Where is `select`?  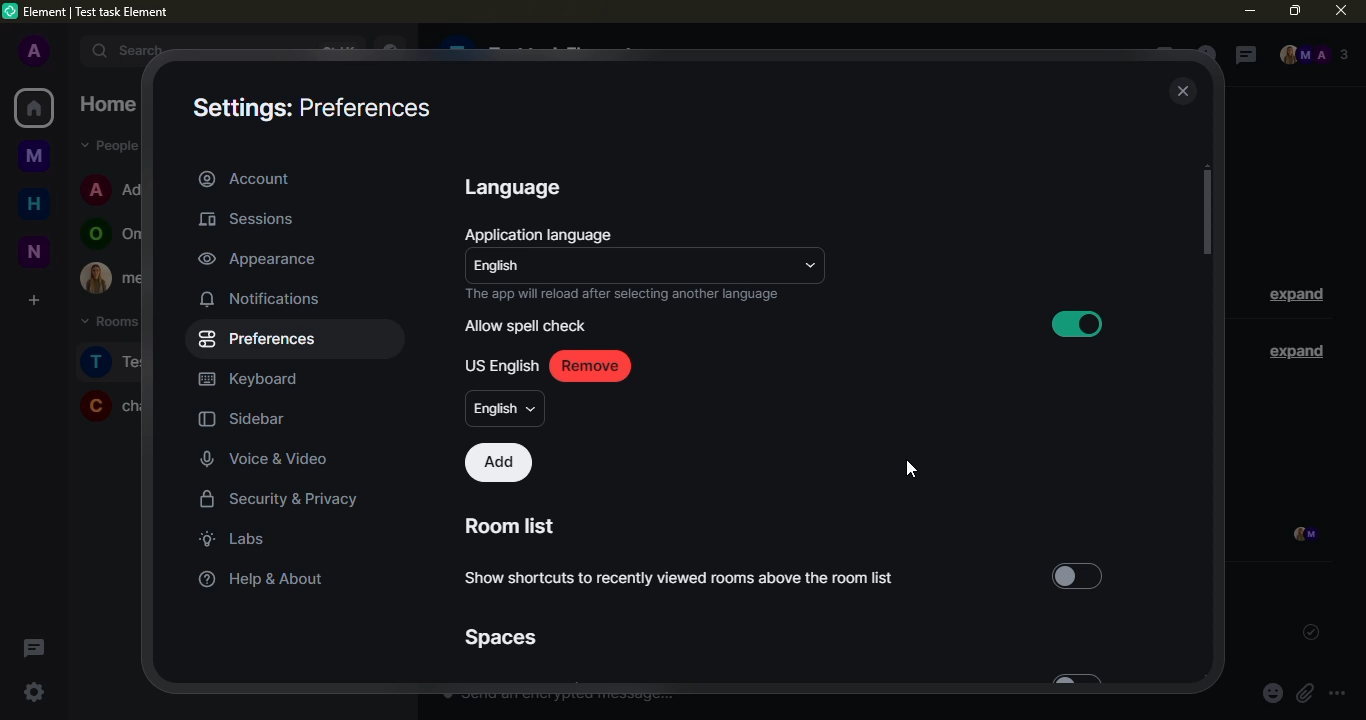 select is located at coordinates (1080, 577).